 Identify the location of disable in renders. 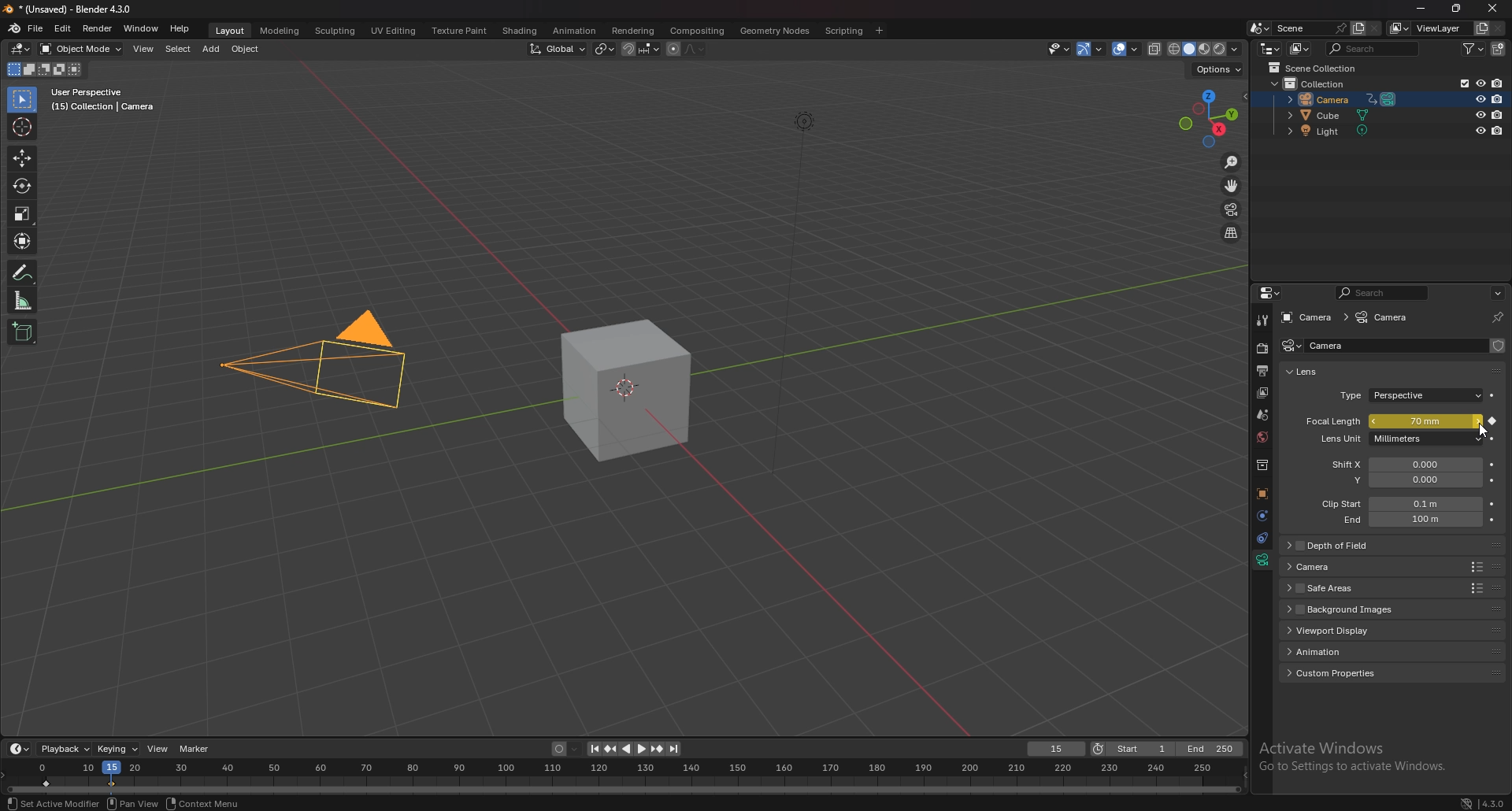
(1498, 114).